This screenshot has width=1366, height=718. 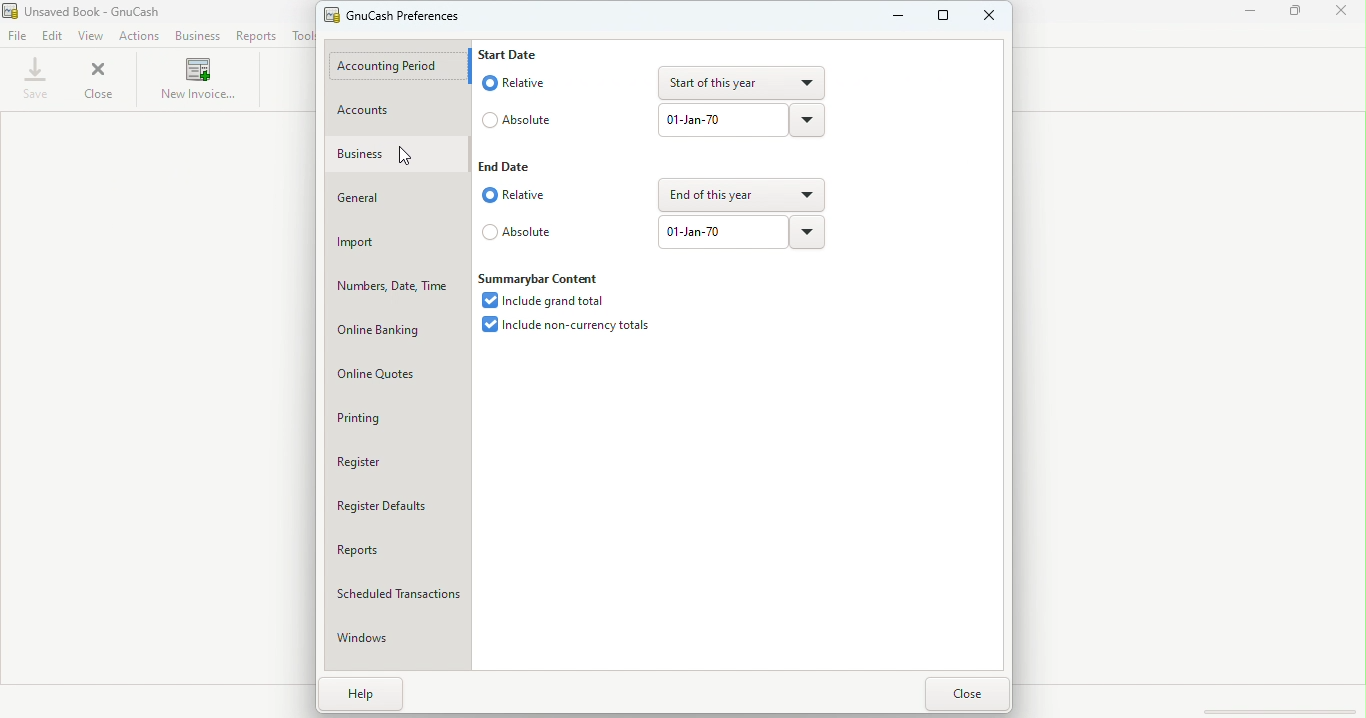 I want to click on Reports, so click(x=393, y=550).